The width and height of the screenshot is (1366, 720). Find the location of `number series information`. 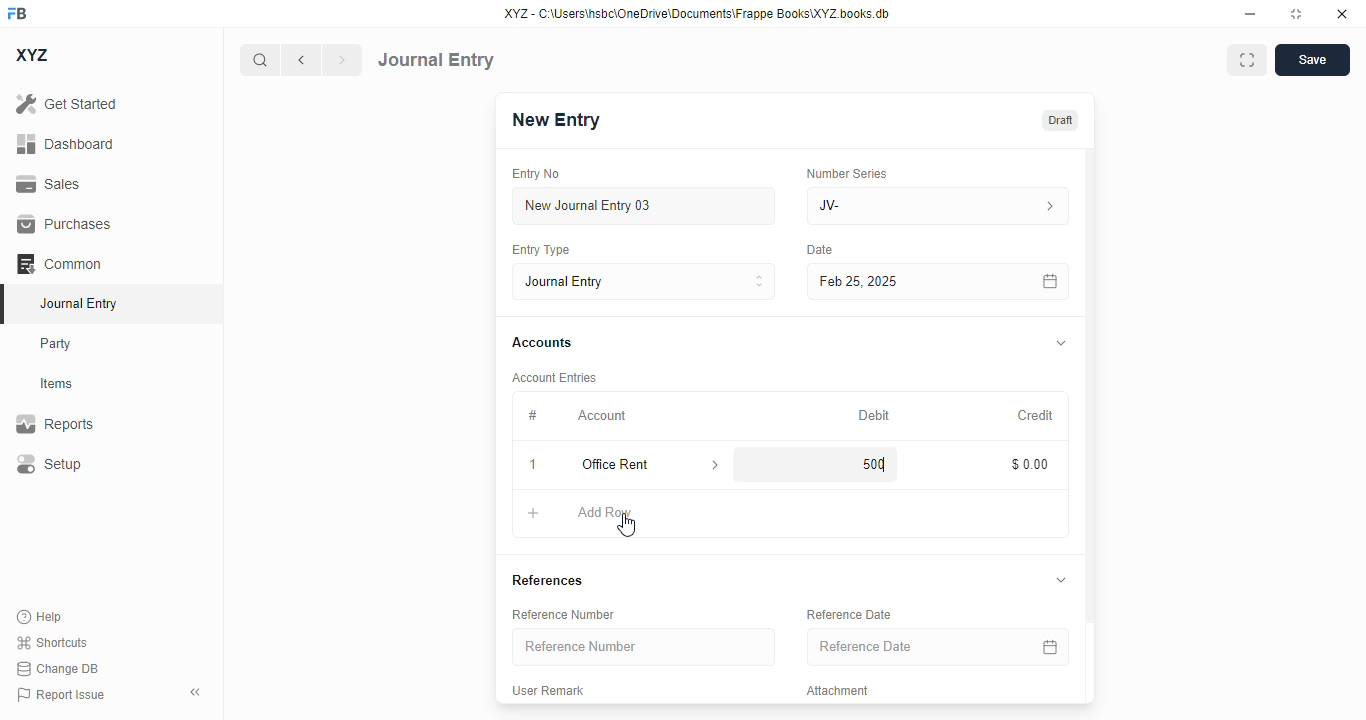

number series information is located at coordinates (1048, 207).